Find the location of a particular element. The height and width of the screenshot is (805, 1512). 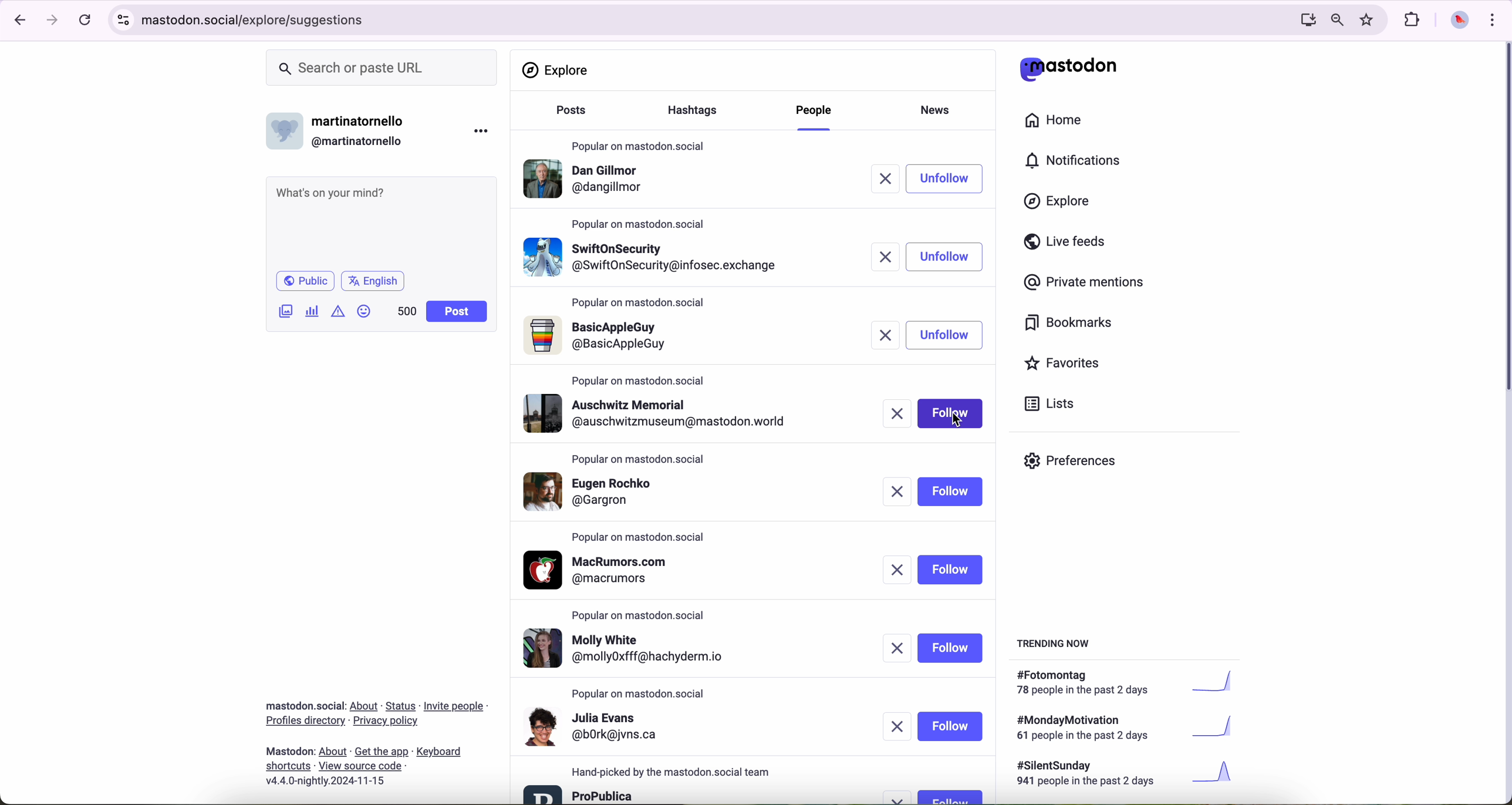

click on explore button is located at coordinates (1060, 207).